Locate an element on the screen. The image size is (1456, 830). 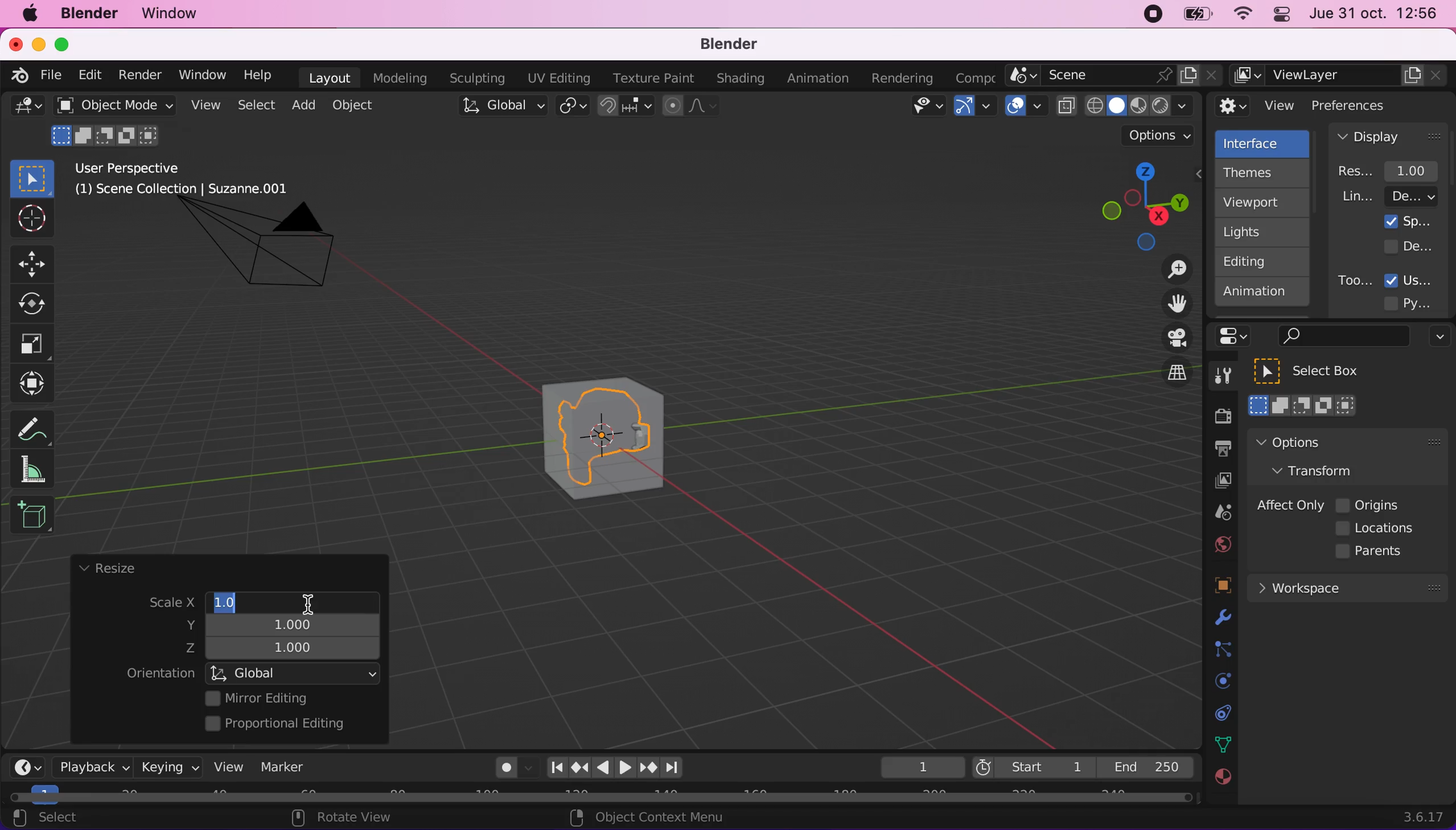
texture paint is located at coordinates (651, 78).